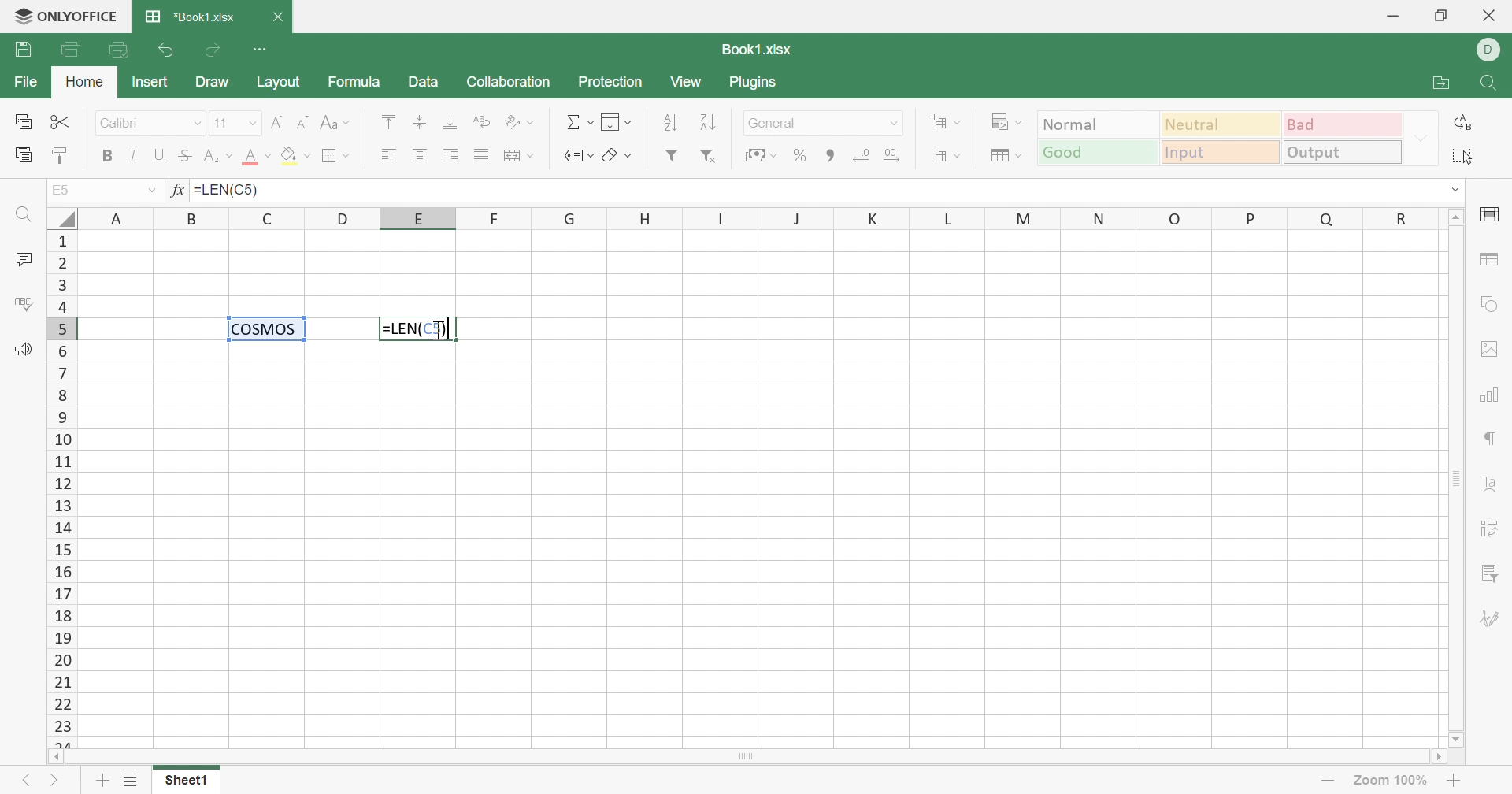 The image size is (1512, 794). Describe the element at coordinates (66, 17) in the screenshot. I see `ONLYOFFICE` at that location.